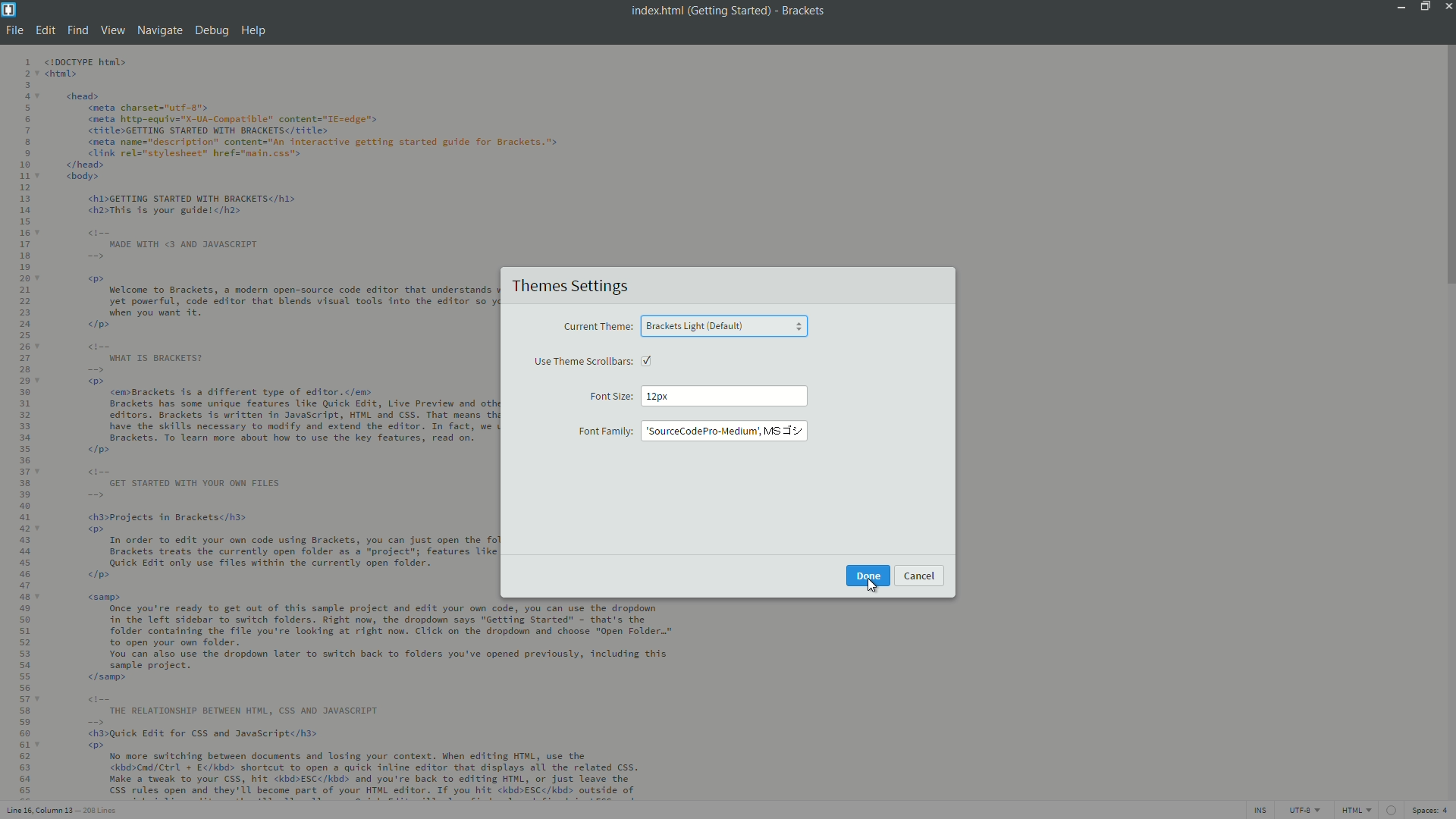 The image size is (1456, 819). I want to click on file code, so click(268, 427).